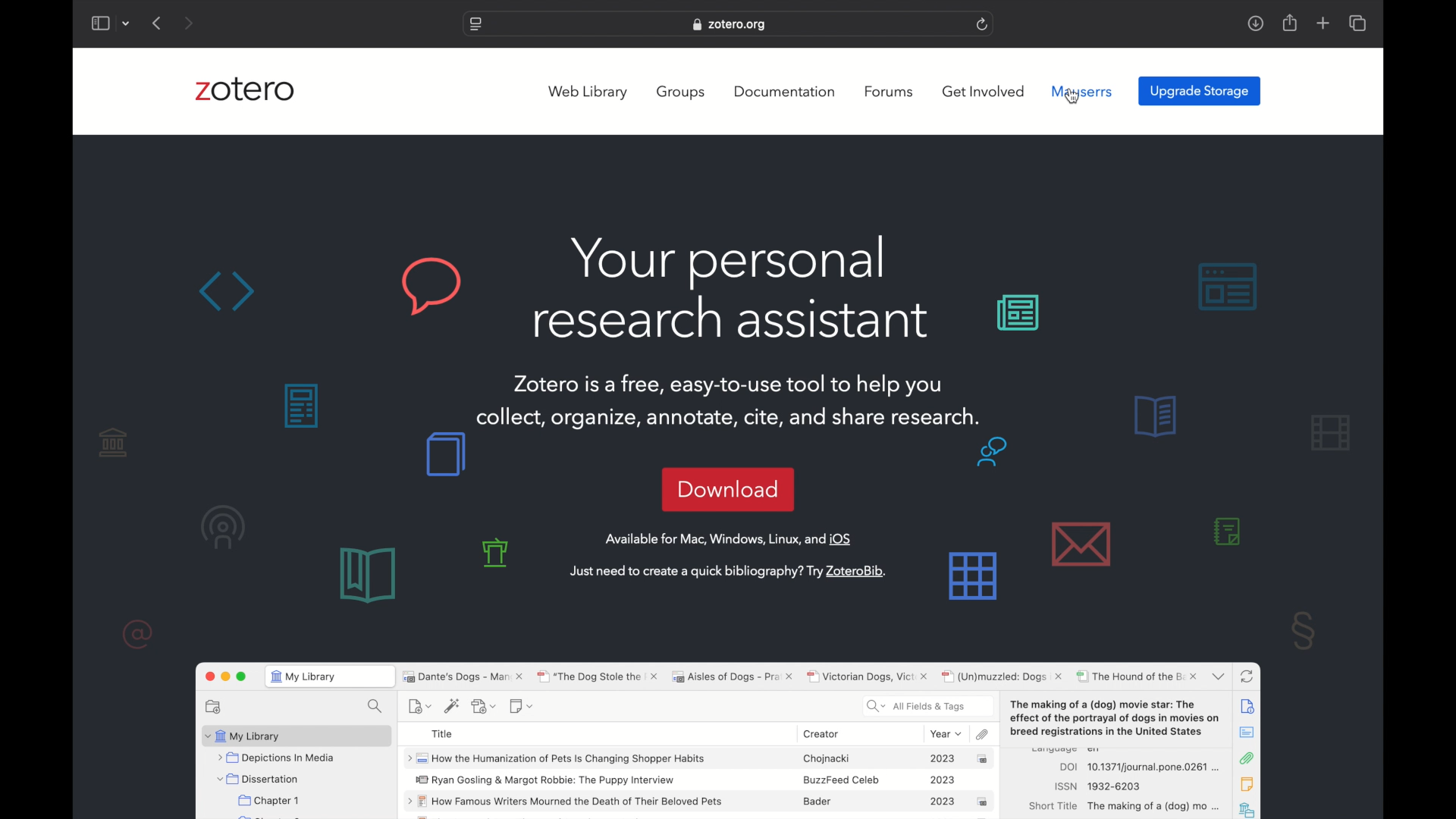 This screenshot has height=819, width=1456. What do you see at coordinates (730, 539) in the screenshot?
I see `available for mac, windows, linux and OS` at bounding box center [730, 539].